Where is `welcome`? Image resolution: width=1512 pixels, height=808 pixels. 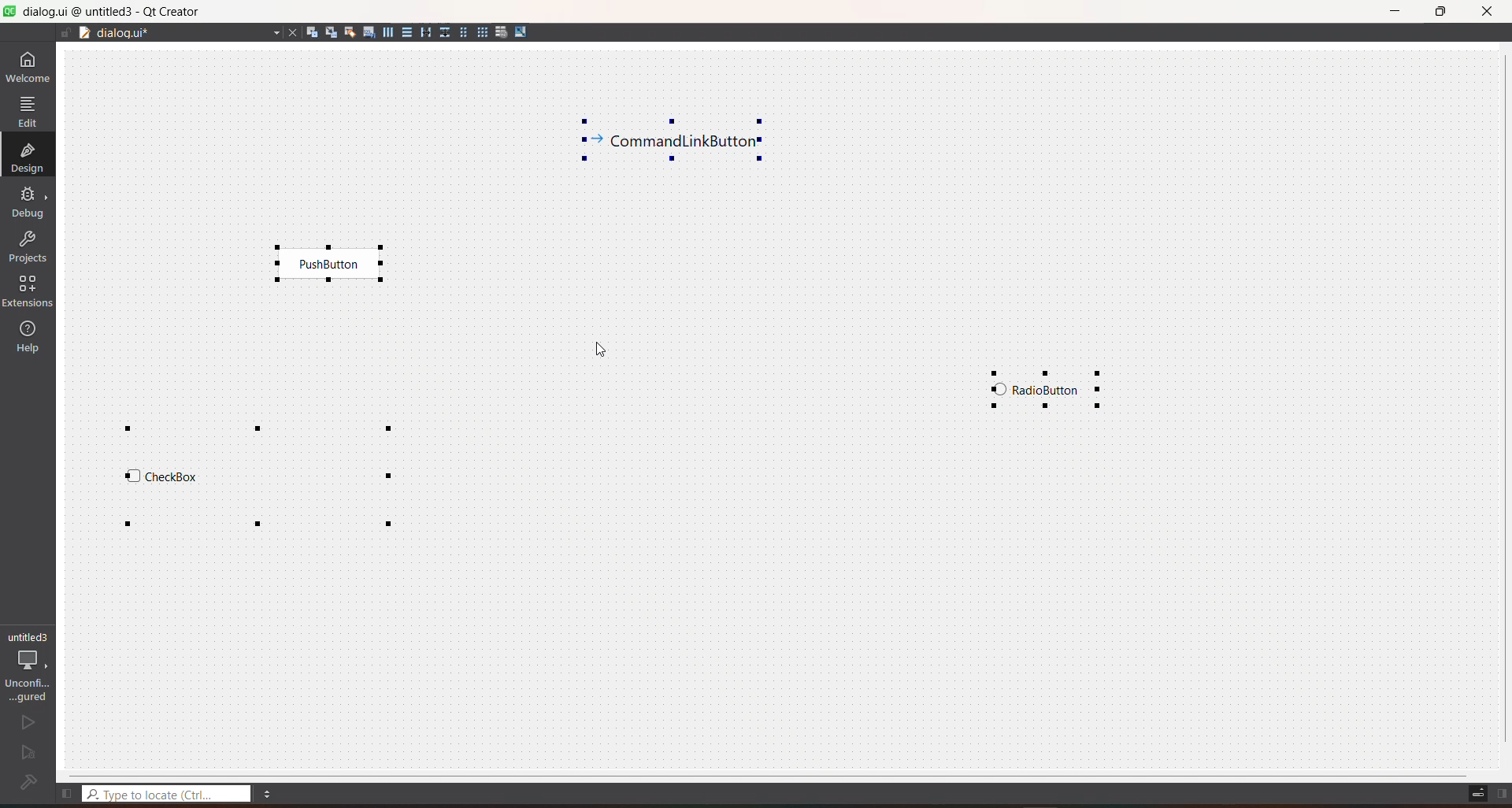
welcome is located at coordinates (28, 64).